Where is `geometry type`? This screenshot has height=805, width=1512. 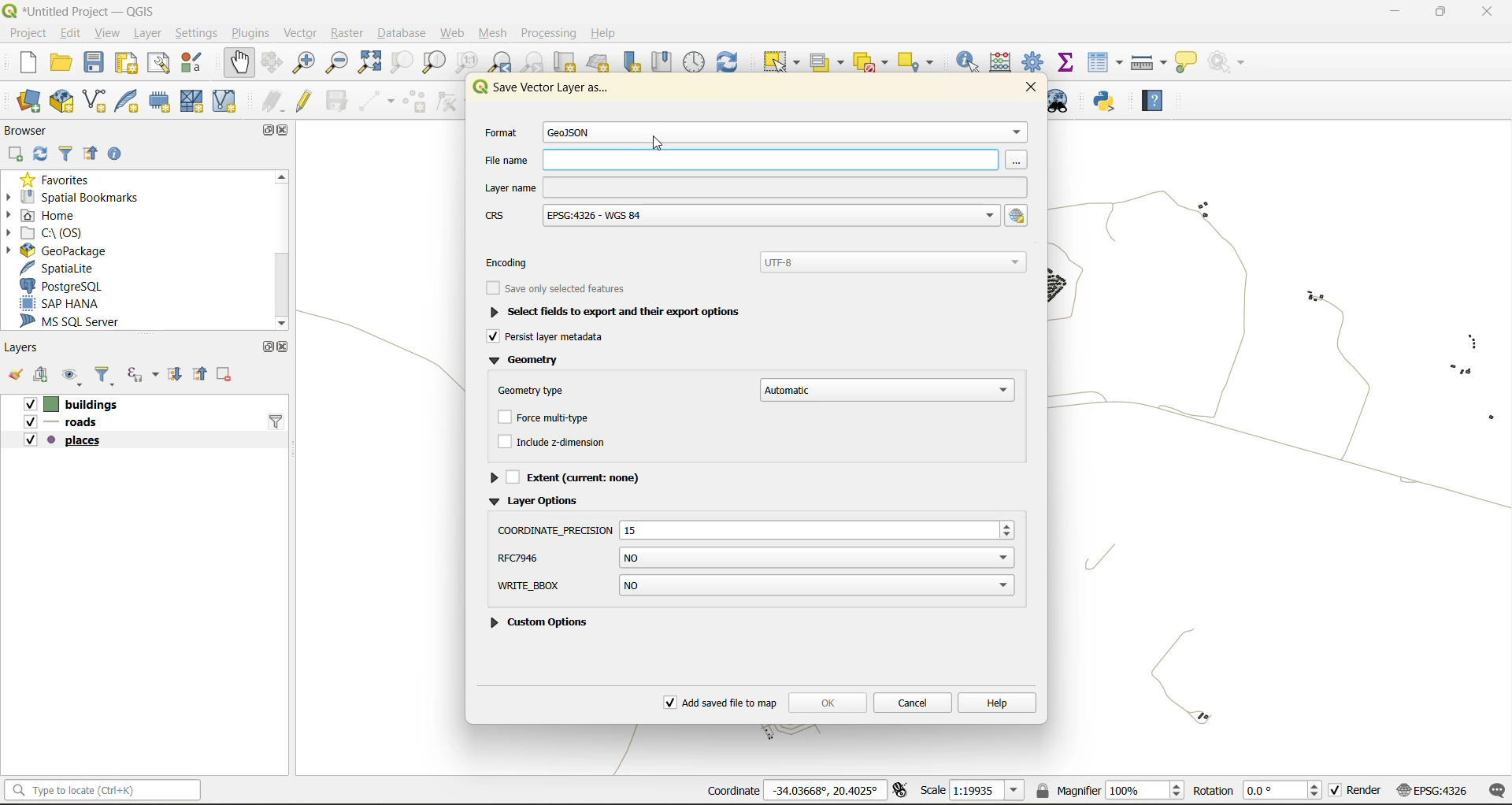 geometry type is located at coordinates (764, 388).